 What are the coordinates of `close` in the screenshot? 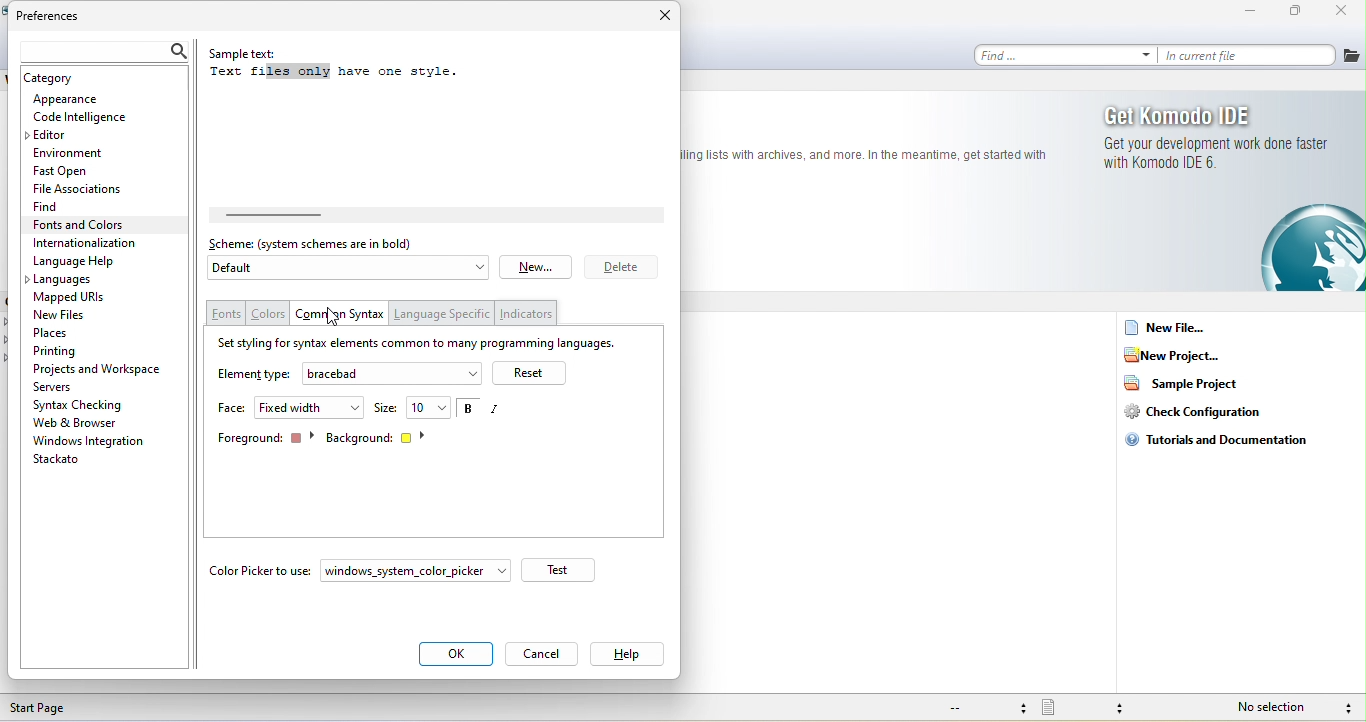 It's located at (1338, 11).